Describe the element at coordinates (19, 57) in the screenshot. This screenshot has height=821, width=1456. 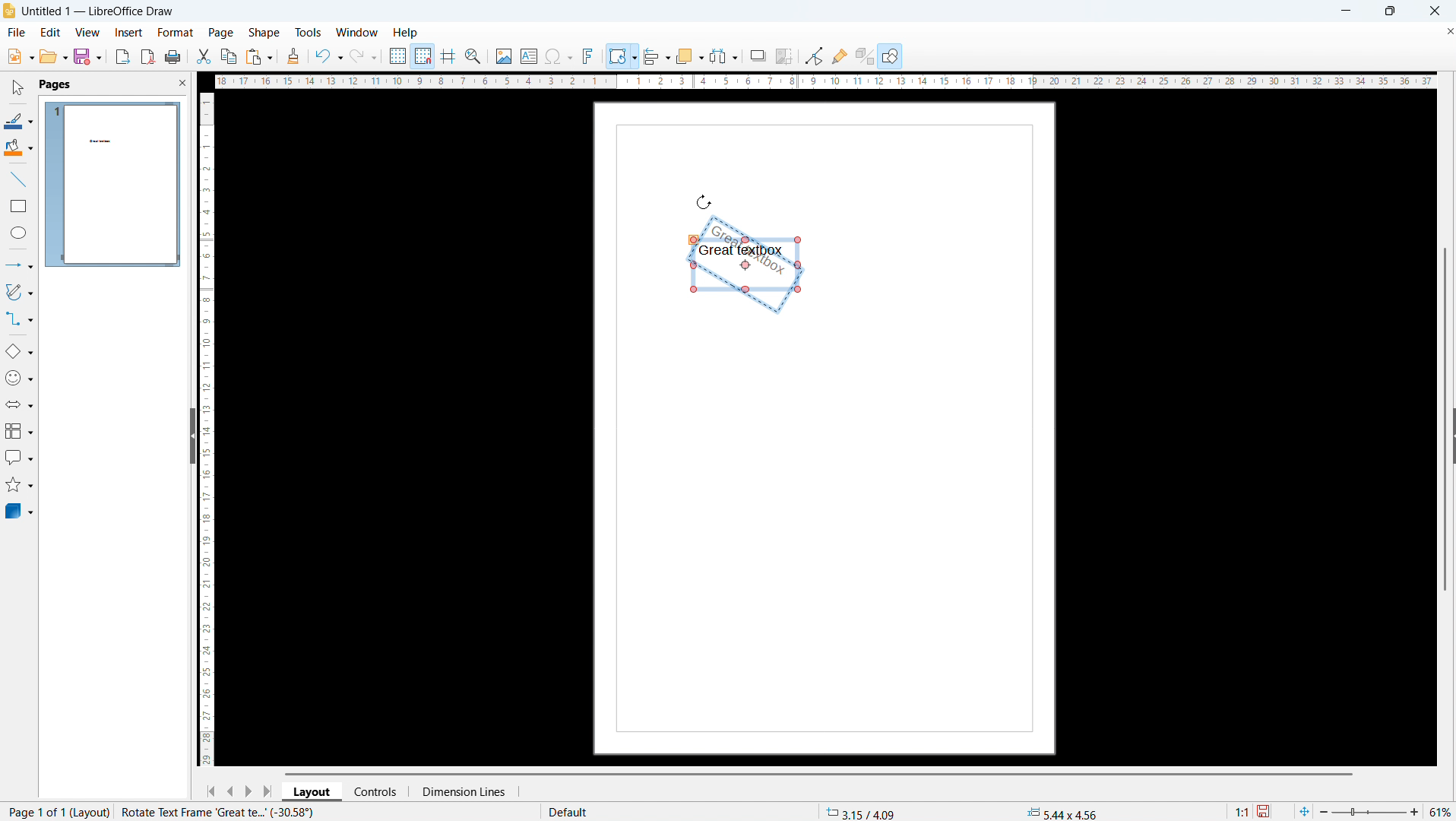
I see `file` at that location.